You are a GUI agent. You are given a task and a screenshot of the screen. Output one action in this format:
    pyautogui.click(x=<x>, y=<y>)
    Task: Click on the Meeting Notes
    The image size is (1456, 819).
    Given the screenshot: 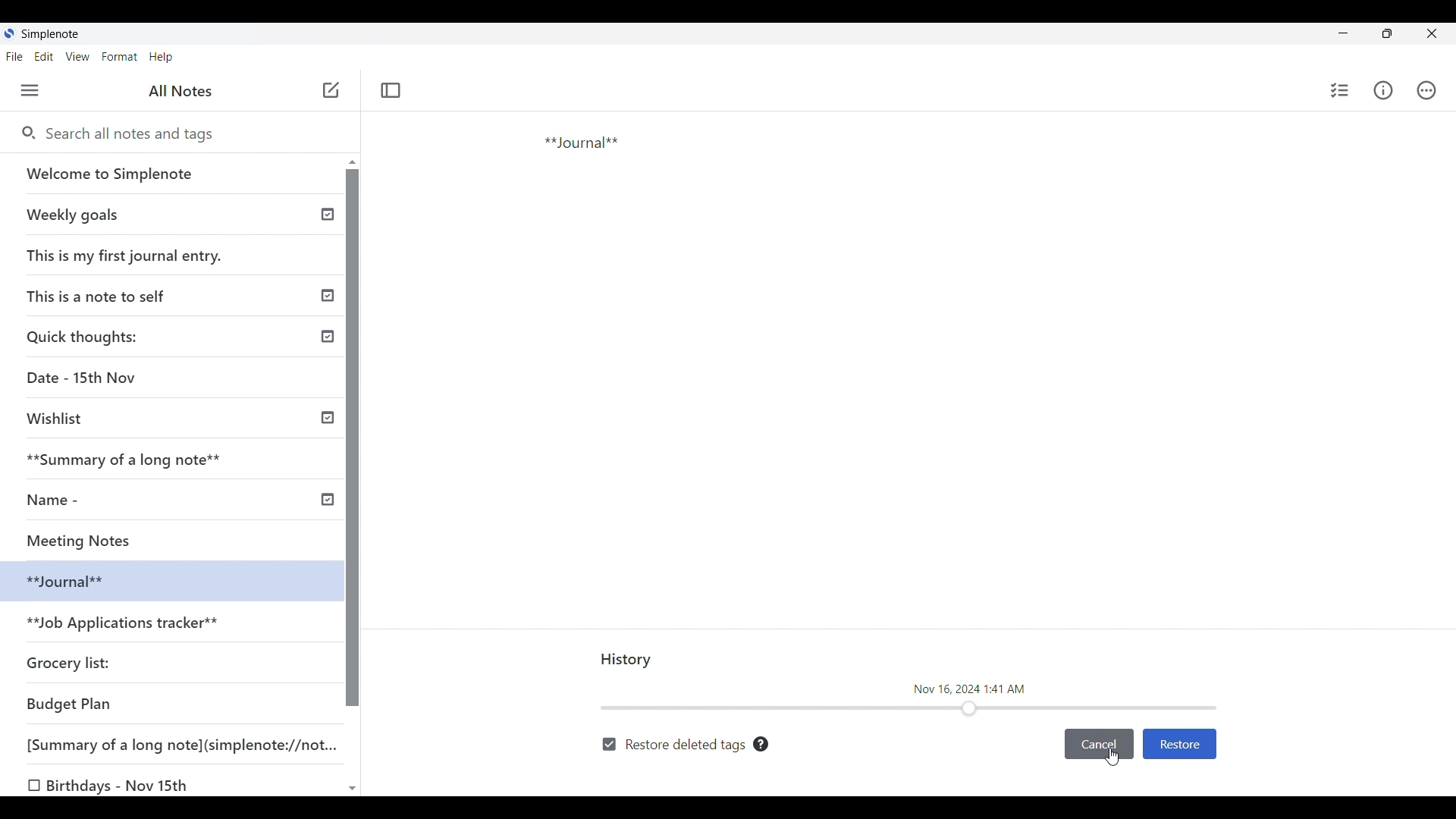 What is the action you would take?
    pyautogui.click(x=96, y=538)
    